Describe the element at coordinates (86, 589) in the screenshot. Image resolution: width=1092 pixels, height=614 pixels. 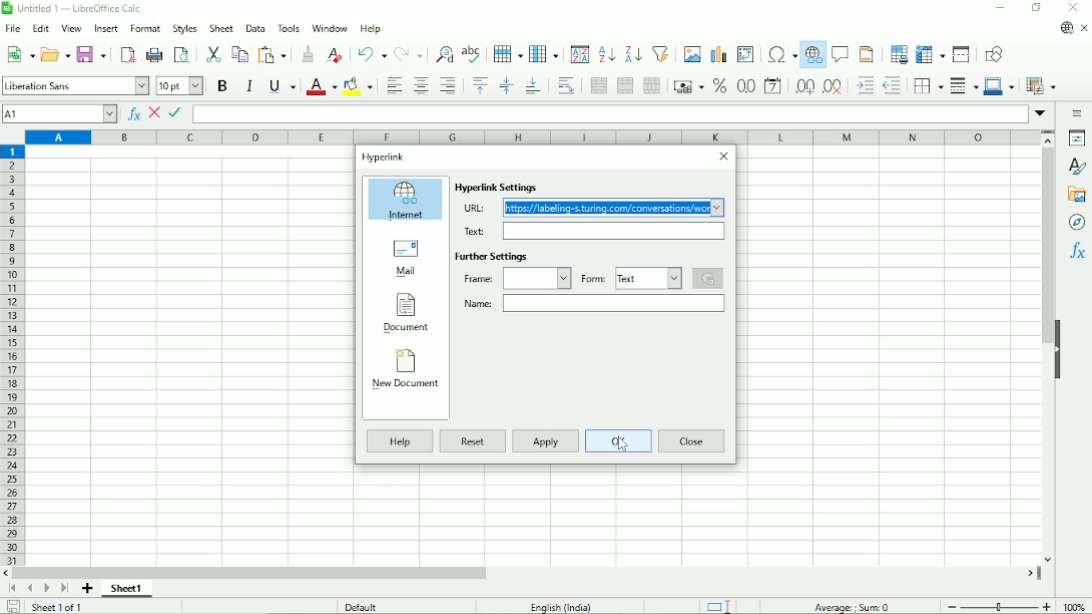
I see `Add sheet` at that location.